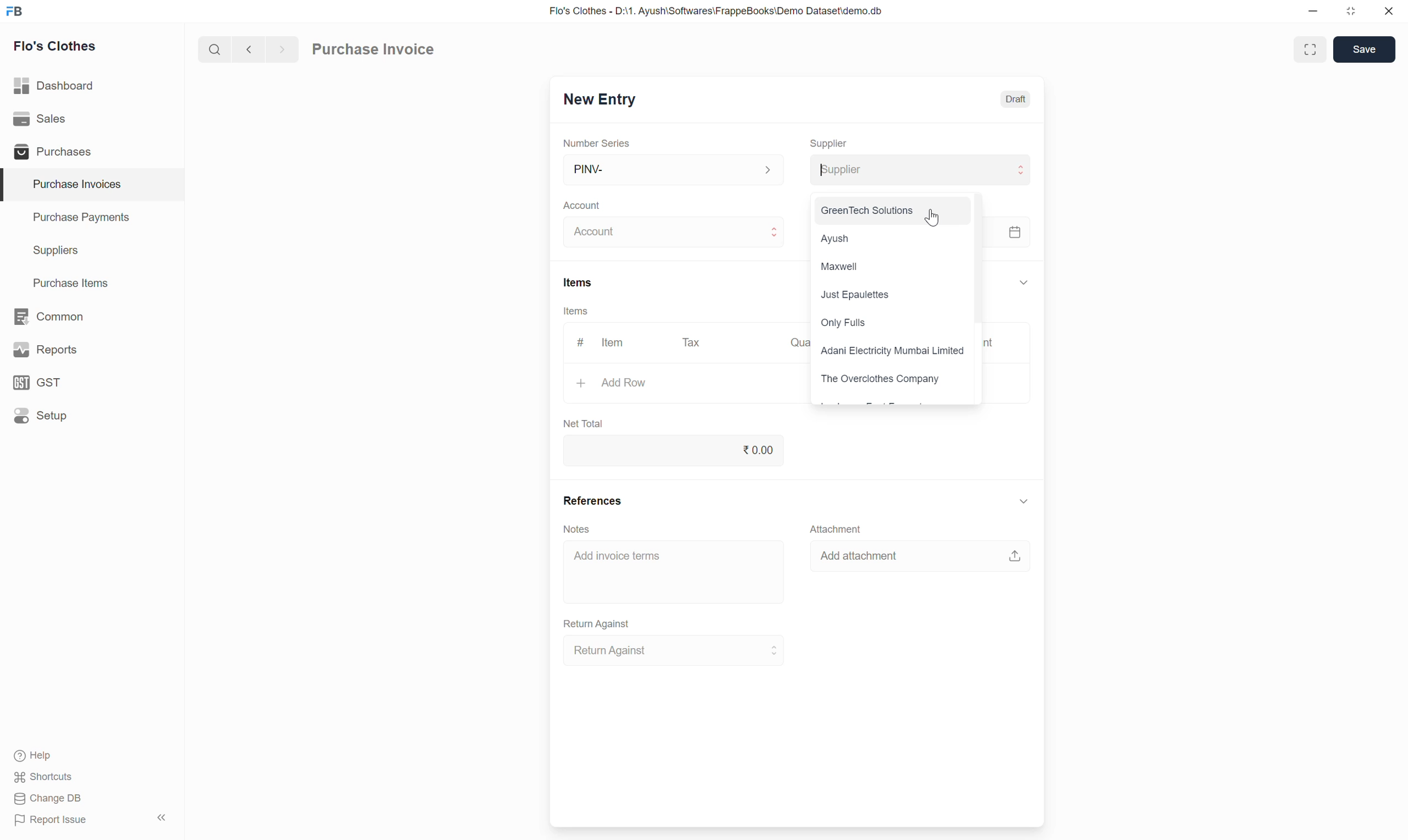 This screenshot has width=1408, height=840. I want to click on Return Against, so click(674, 650).